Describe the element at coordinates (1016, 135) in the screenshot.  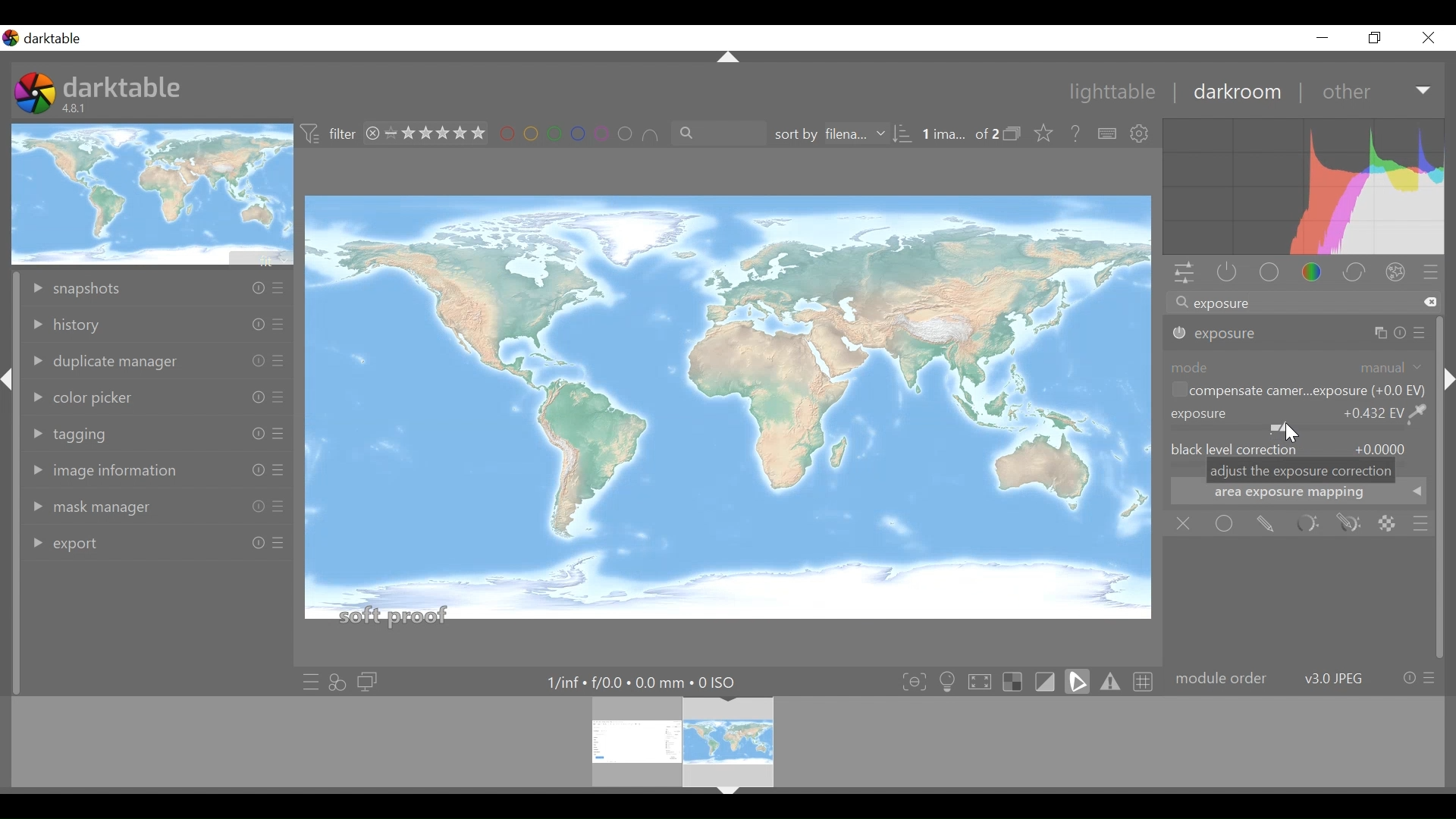
I see `collapse/expand grouped images` at that location.